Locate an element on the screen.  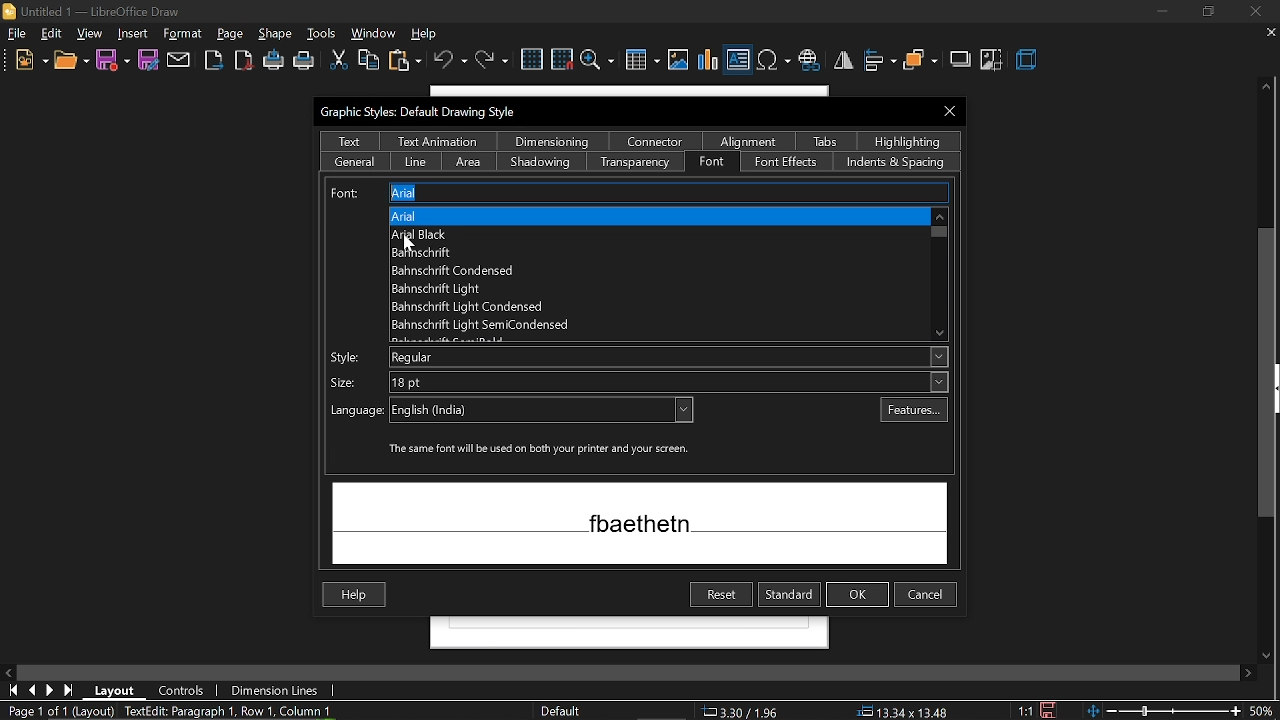
'Bahnschrift Light is located at coordinates (479, 289).